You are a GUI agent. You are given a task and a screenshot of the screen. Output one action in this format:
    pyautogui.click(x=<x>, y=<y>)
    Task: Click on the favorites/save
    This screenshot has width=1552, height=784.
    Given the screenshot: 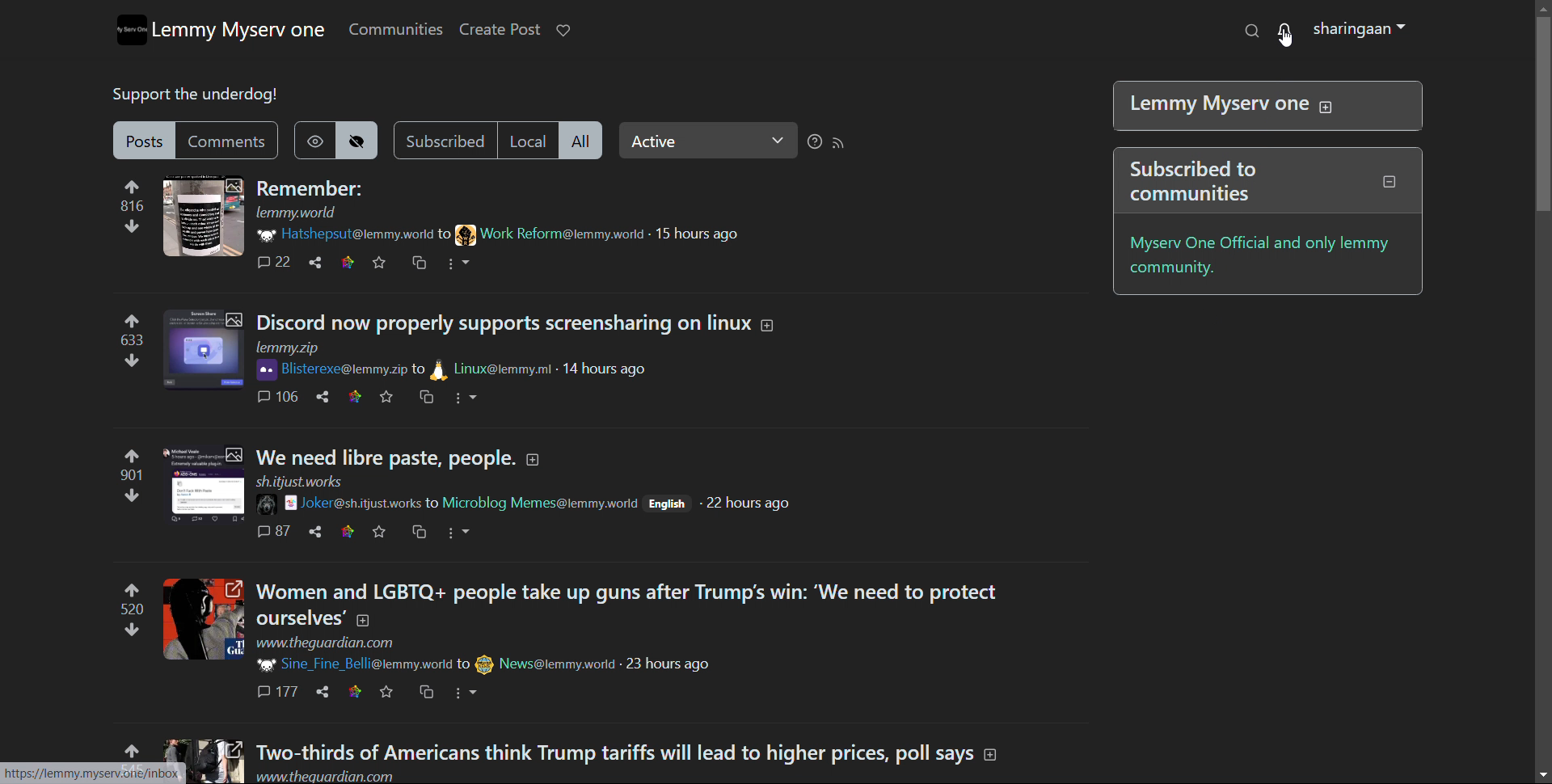 What is the action you would take?
    pyautogui.click(x=386, y=397)
    